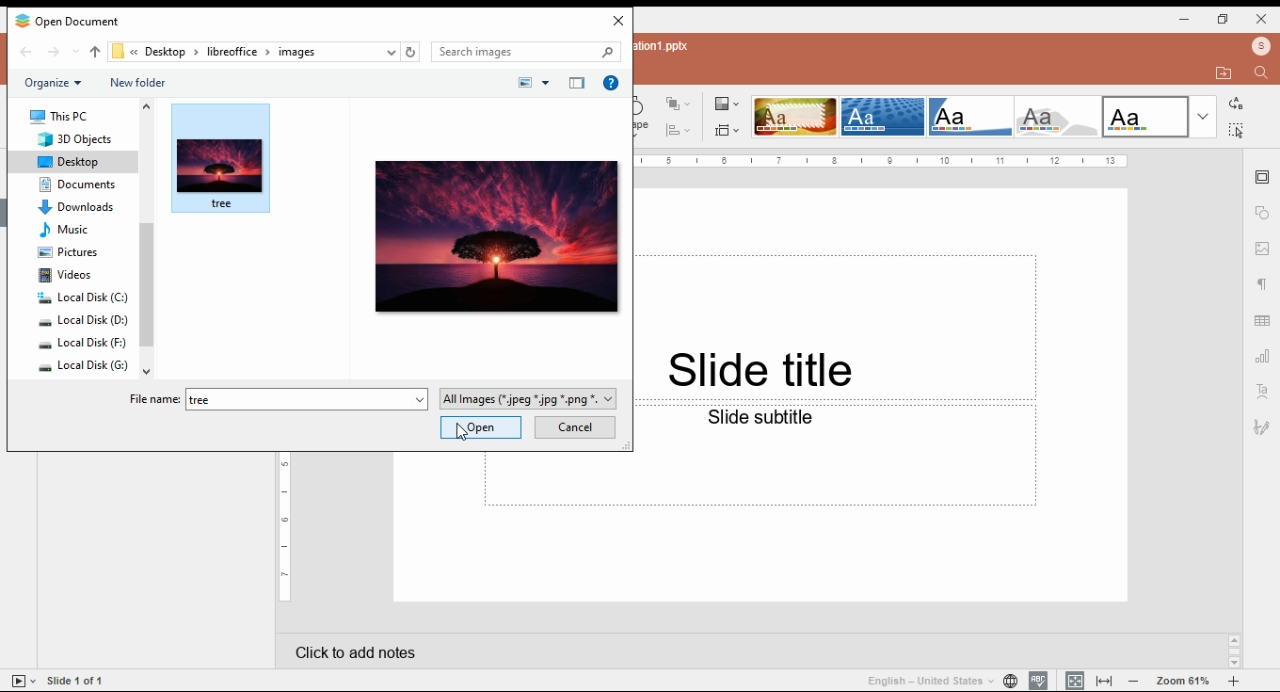 The height and width of the screenshot is (692, 1280). What do you see at coordinates (1235, 129) in the screenshot?
I see `select all` at bounding box center [1235, 129].